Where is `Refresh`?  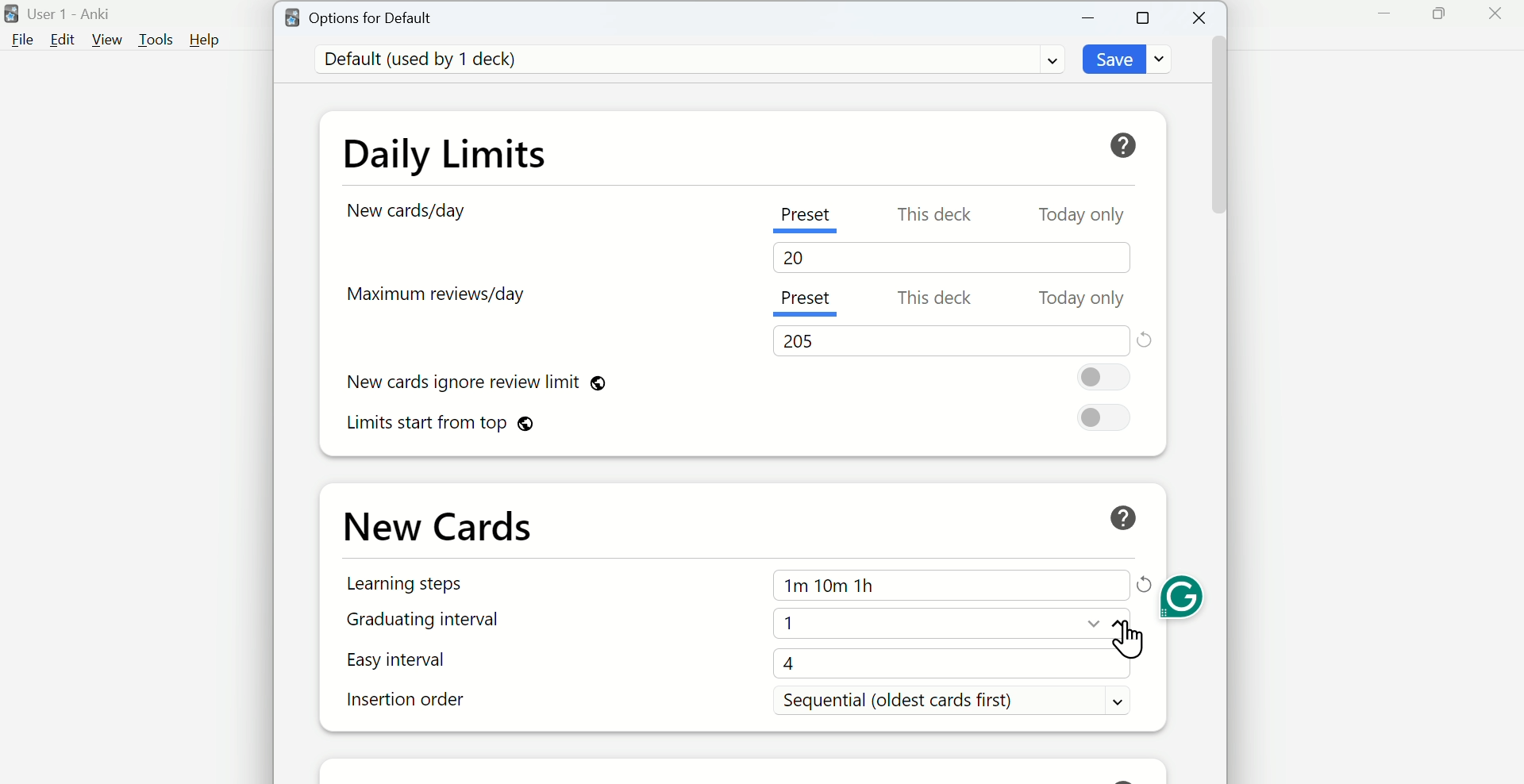
Refresh is located at coordinates (1140, 578).